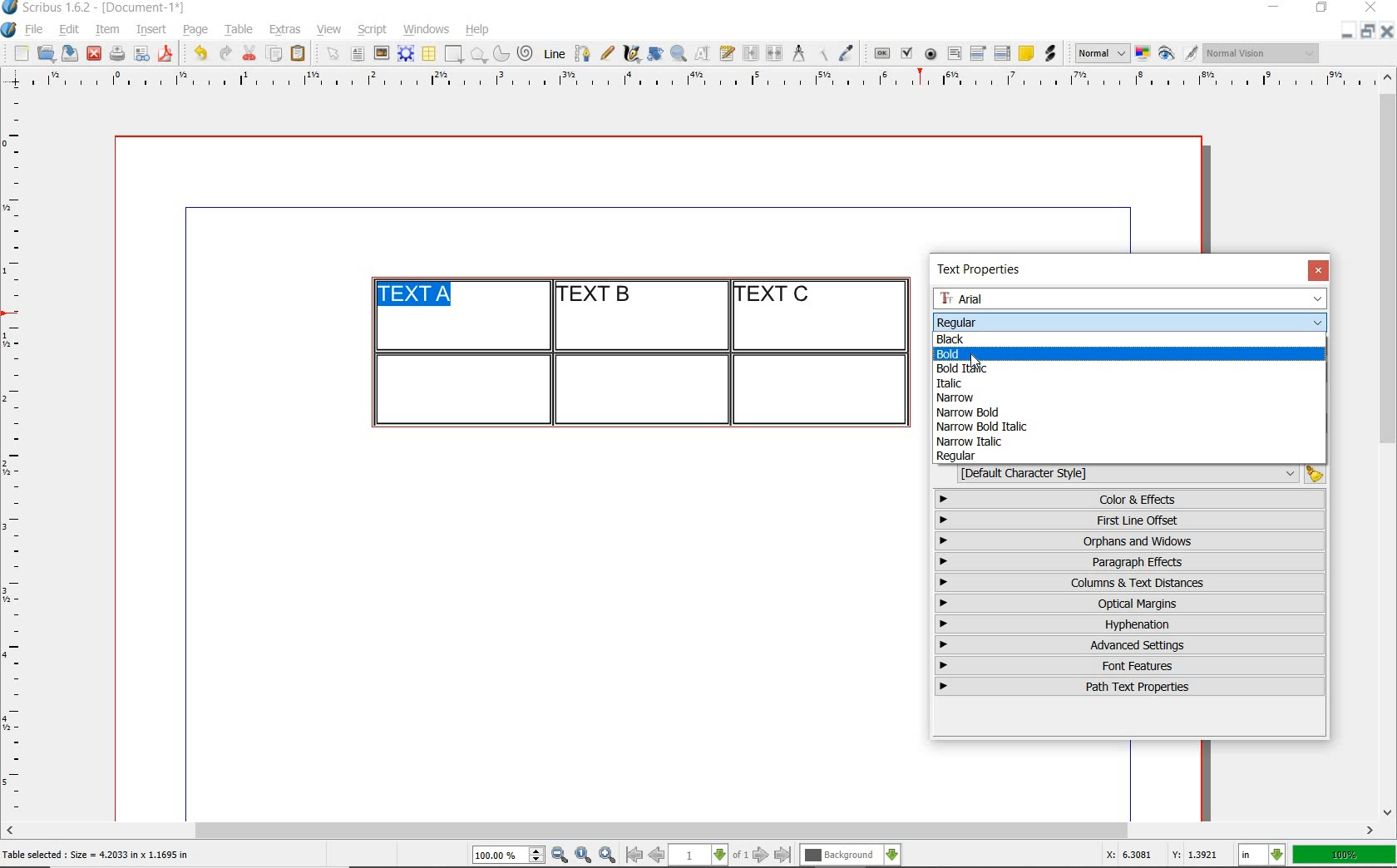  Describe the element at coordinates (1003, 53) in the screenshot. I see `pdf list box` at that location.